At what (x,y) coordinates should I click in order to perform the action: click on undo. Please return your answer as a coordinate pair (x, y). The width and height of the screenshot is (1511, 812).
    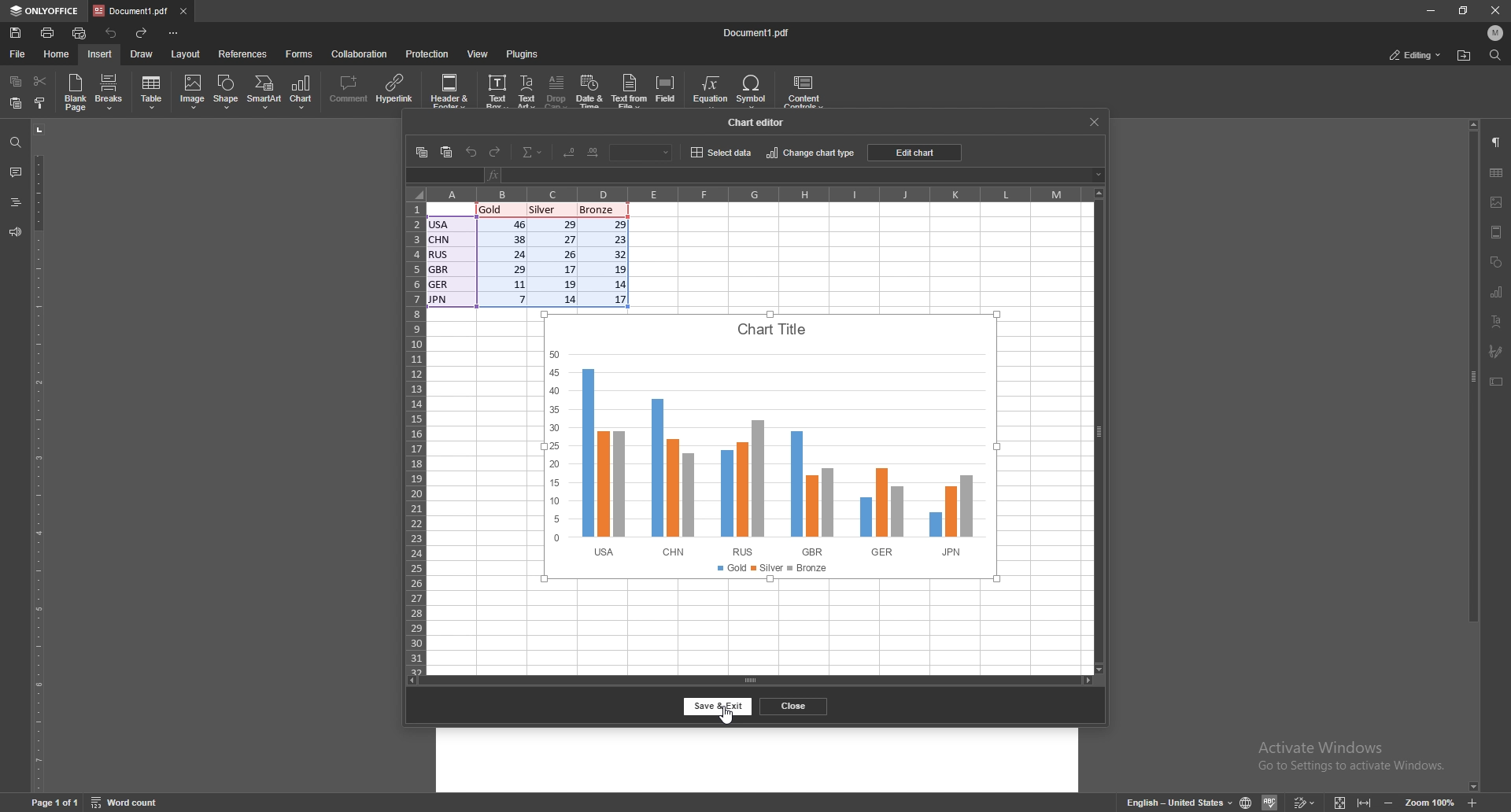
    Looking at the image, I should click on (112, 34).